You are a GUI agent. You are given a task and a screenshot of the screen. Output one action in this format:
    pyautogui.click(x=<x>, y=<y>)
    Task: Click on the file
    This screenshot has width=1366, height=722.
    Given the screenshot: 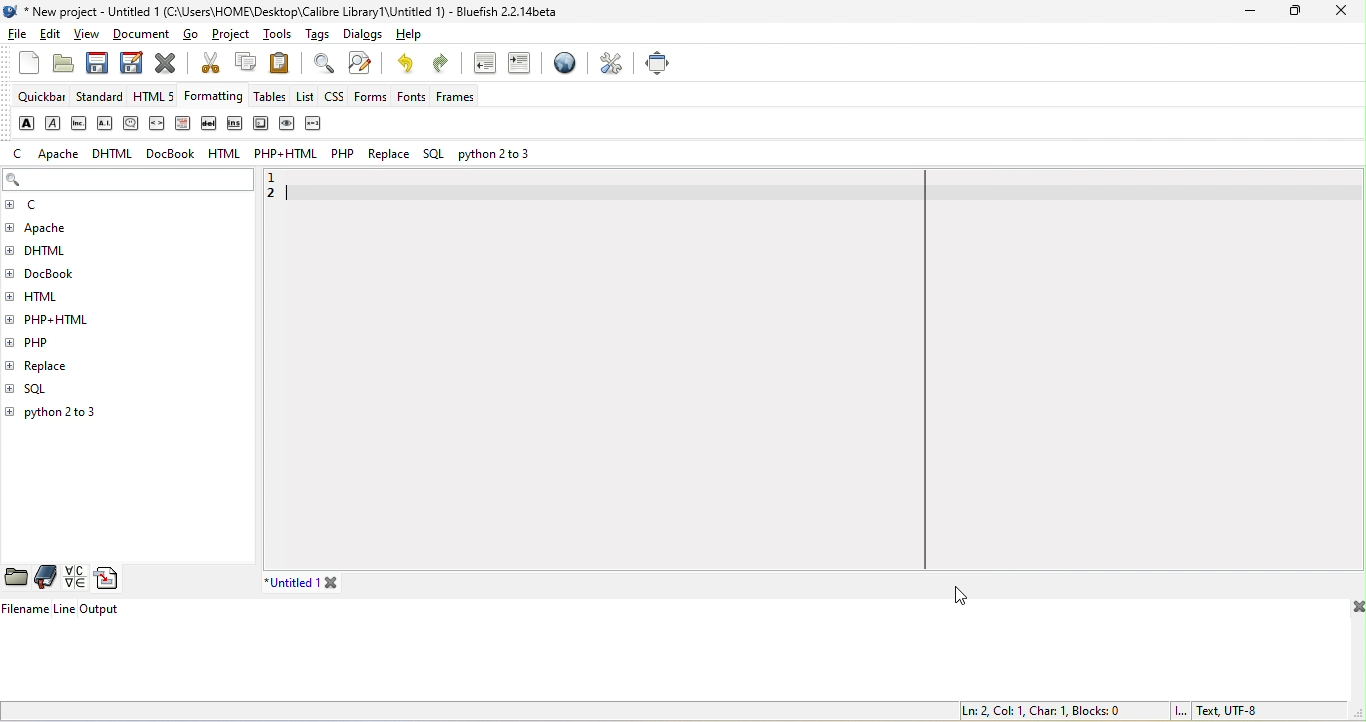 What is the action you would take?
    pyautogui.click(x=18, y=35)
    